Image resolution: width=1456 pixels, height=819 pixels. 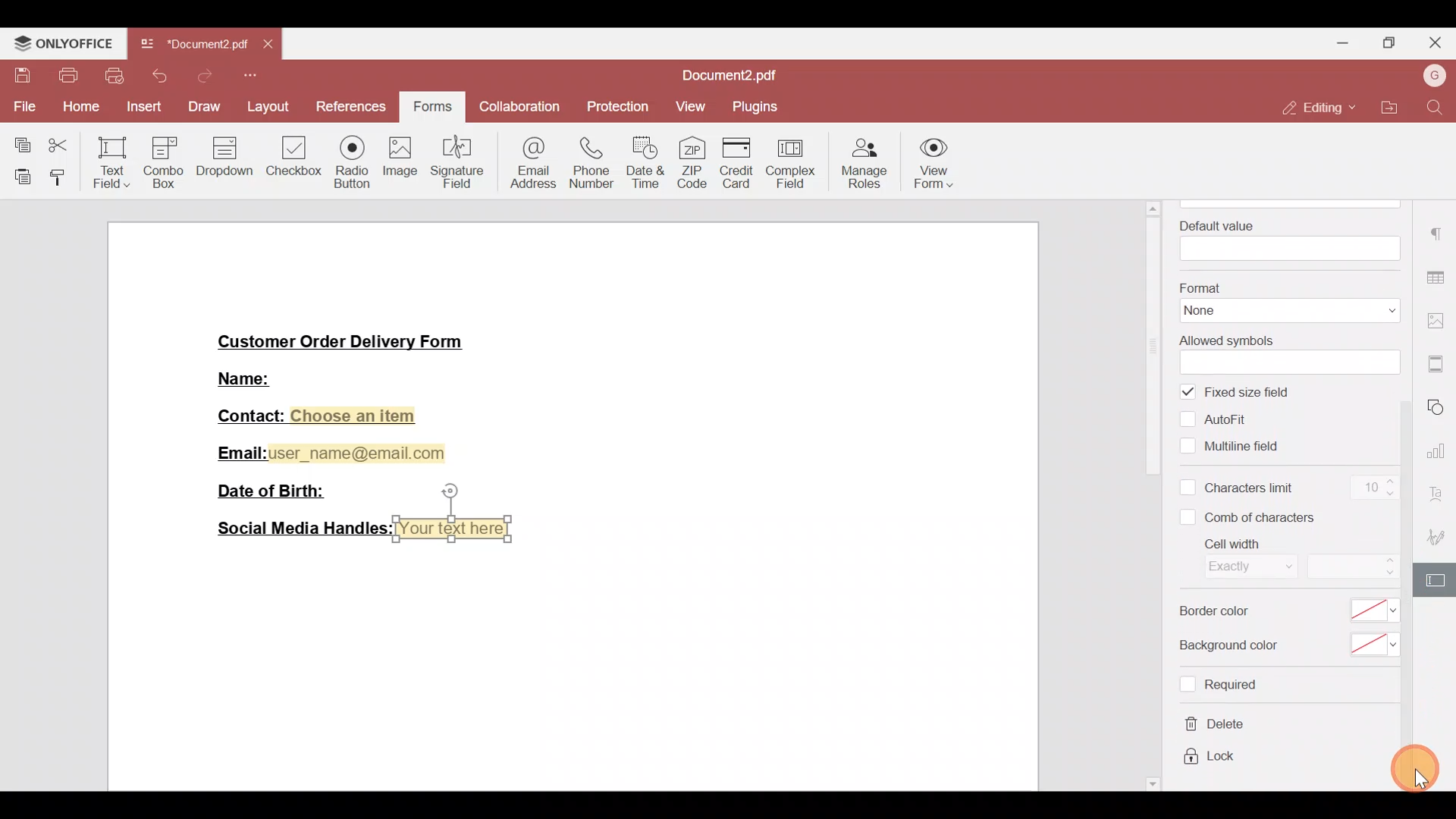 I want to click on Text field, so click(x=107, y=164).